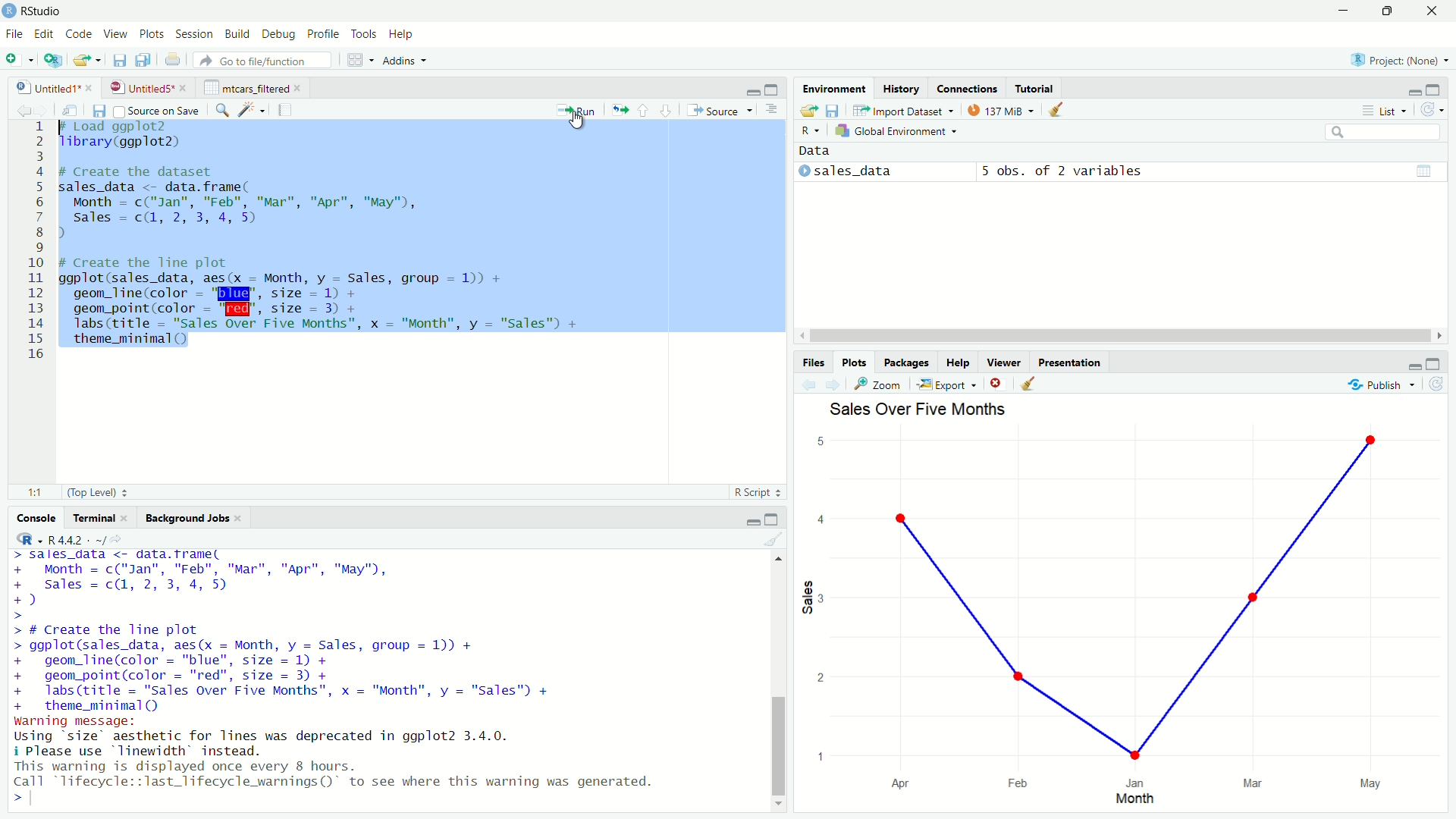 This screenshot has height=819, width=1456. I want to click on save, so click(101, 111).